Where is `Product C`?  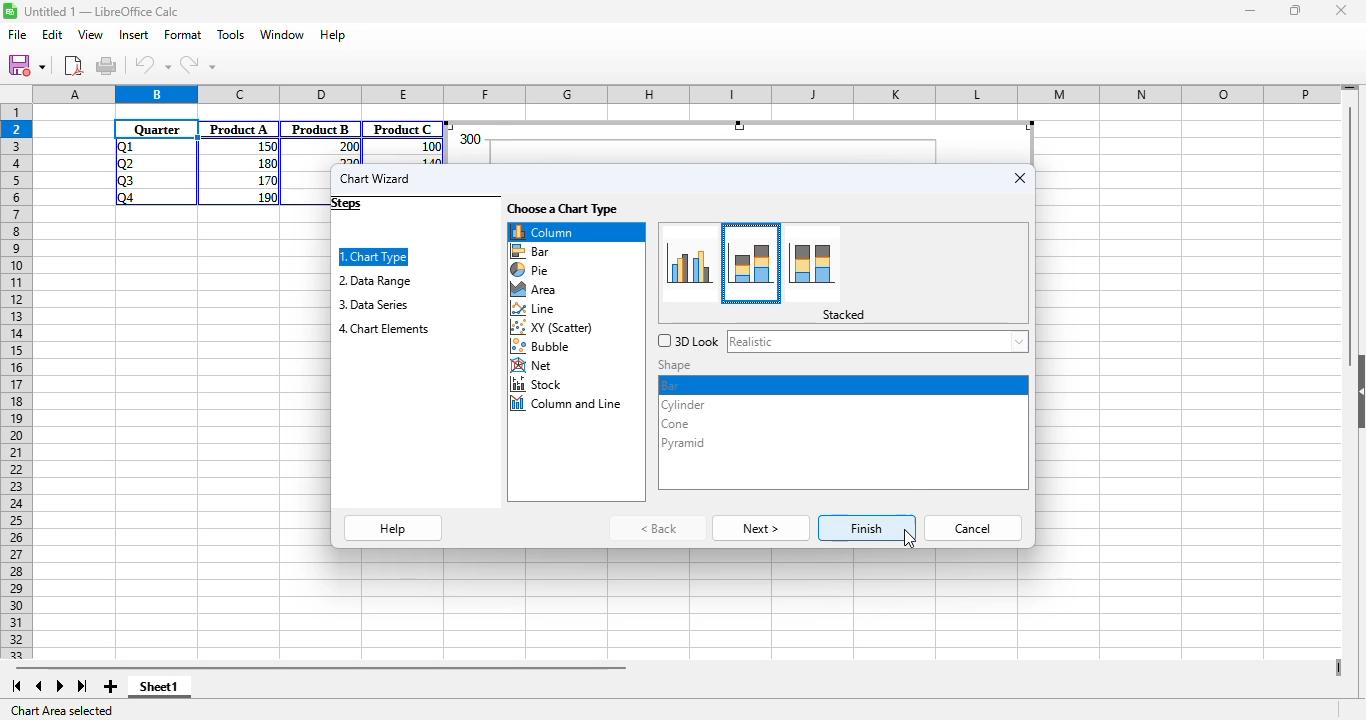
Product C is located at coordinates (403, 129).